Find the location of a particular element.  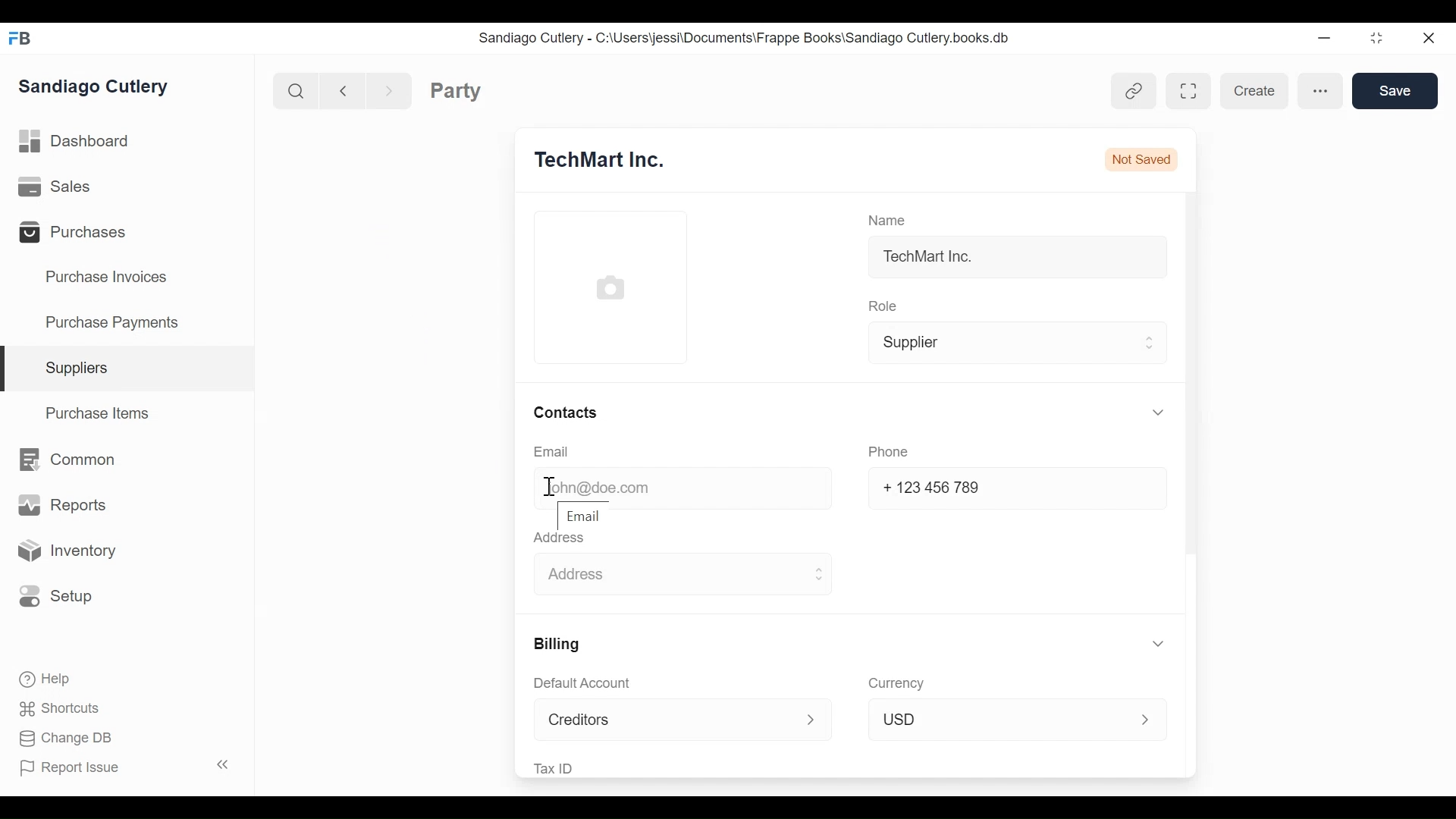

expand  is located at coordinates (1147, 415).